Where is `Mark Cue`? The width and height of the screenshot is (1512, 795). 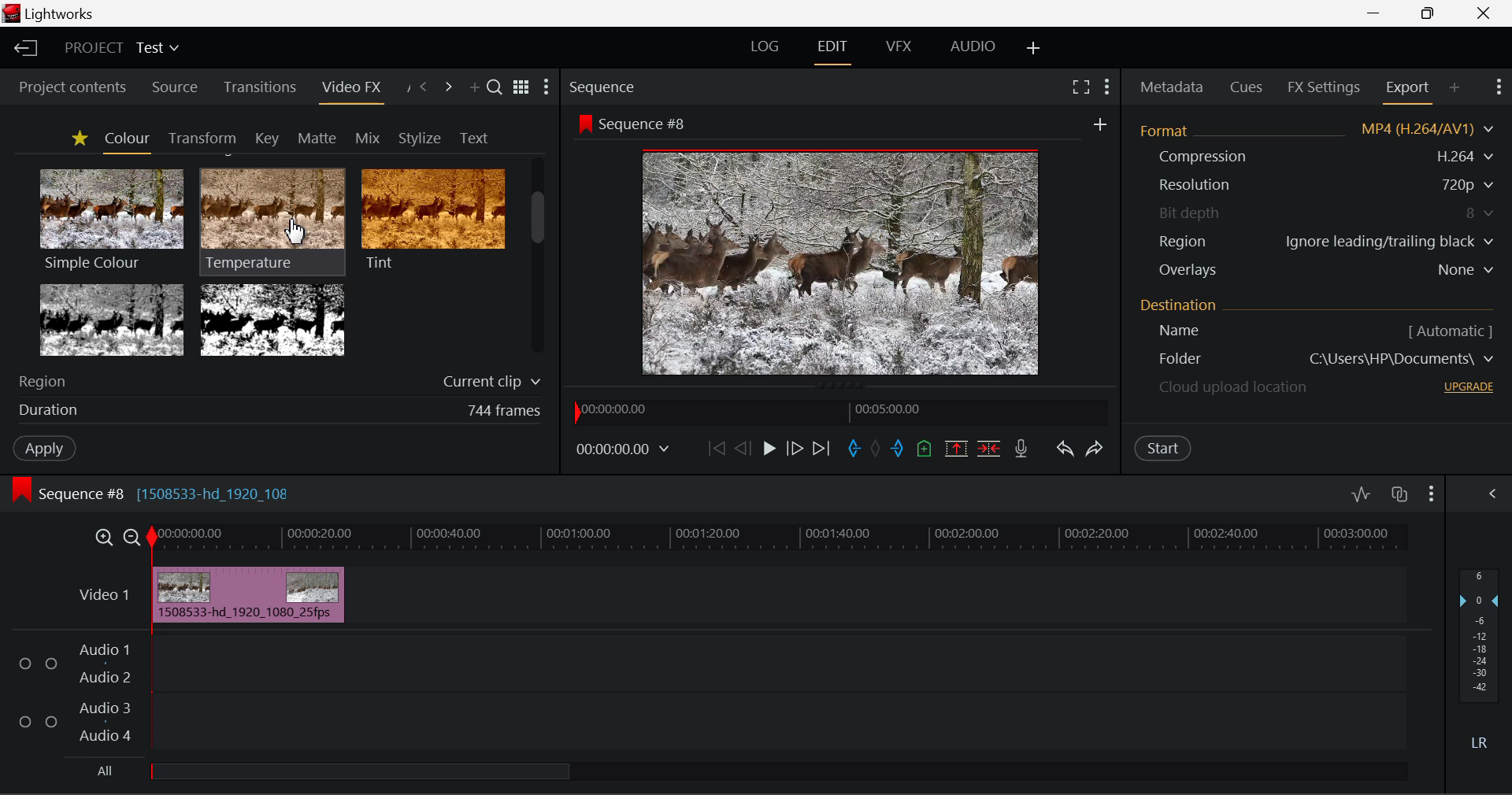 Mark Cue is located at coordinates (925, 450).